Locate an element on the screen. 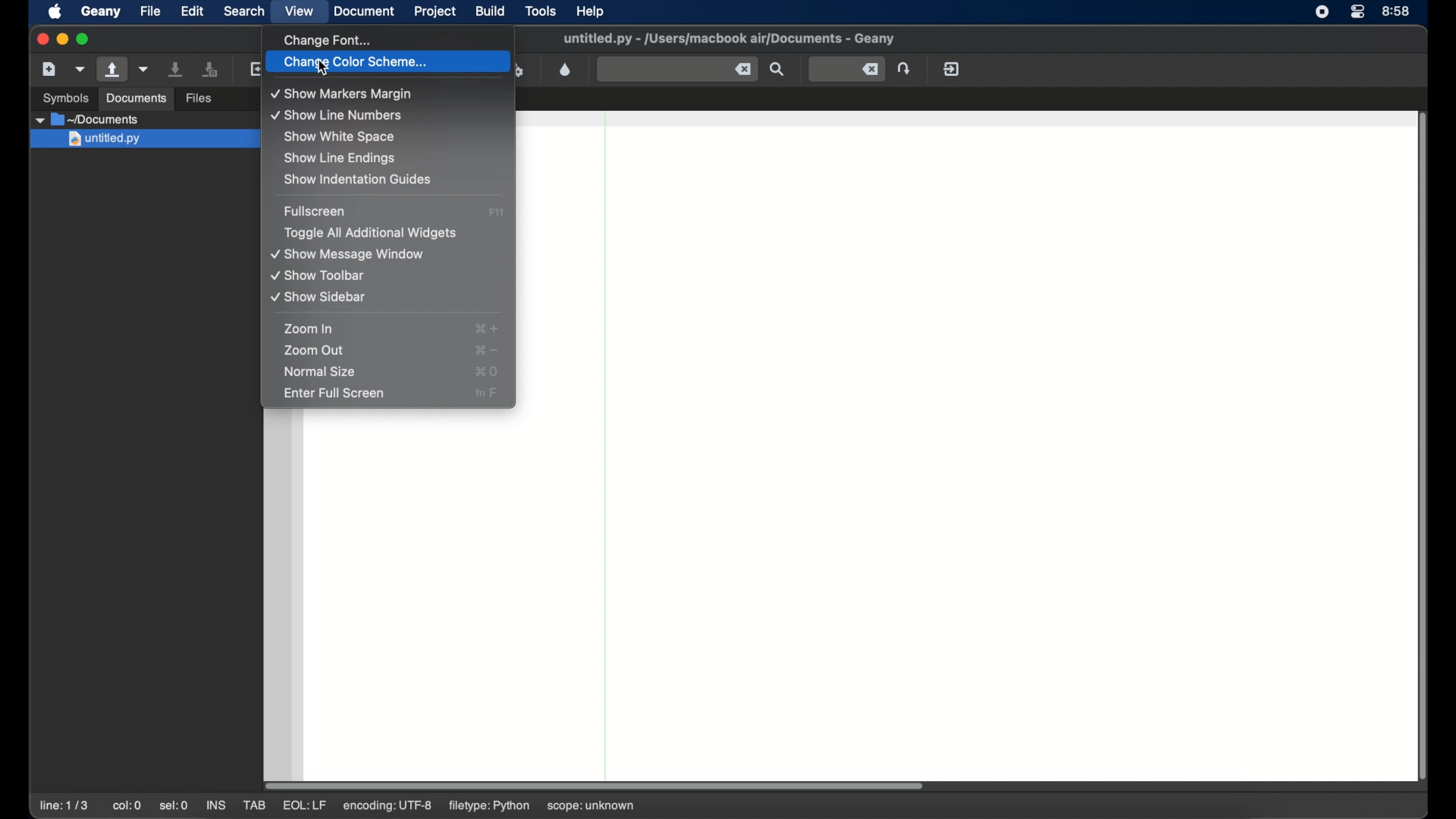  jump to the entered line number is located at coordinates (905, 68).